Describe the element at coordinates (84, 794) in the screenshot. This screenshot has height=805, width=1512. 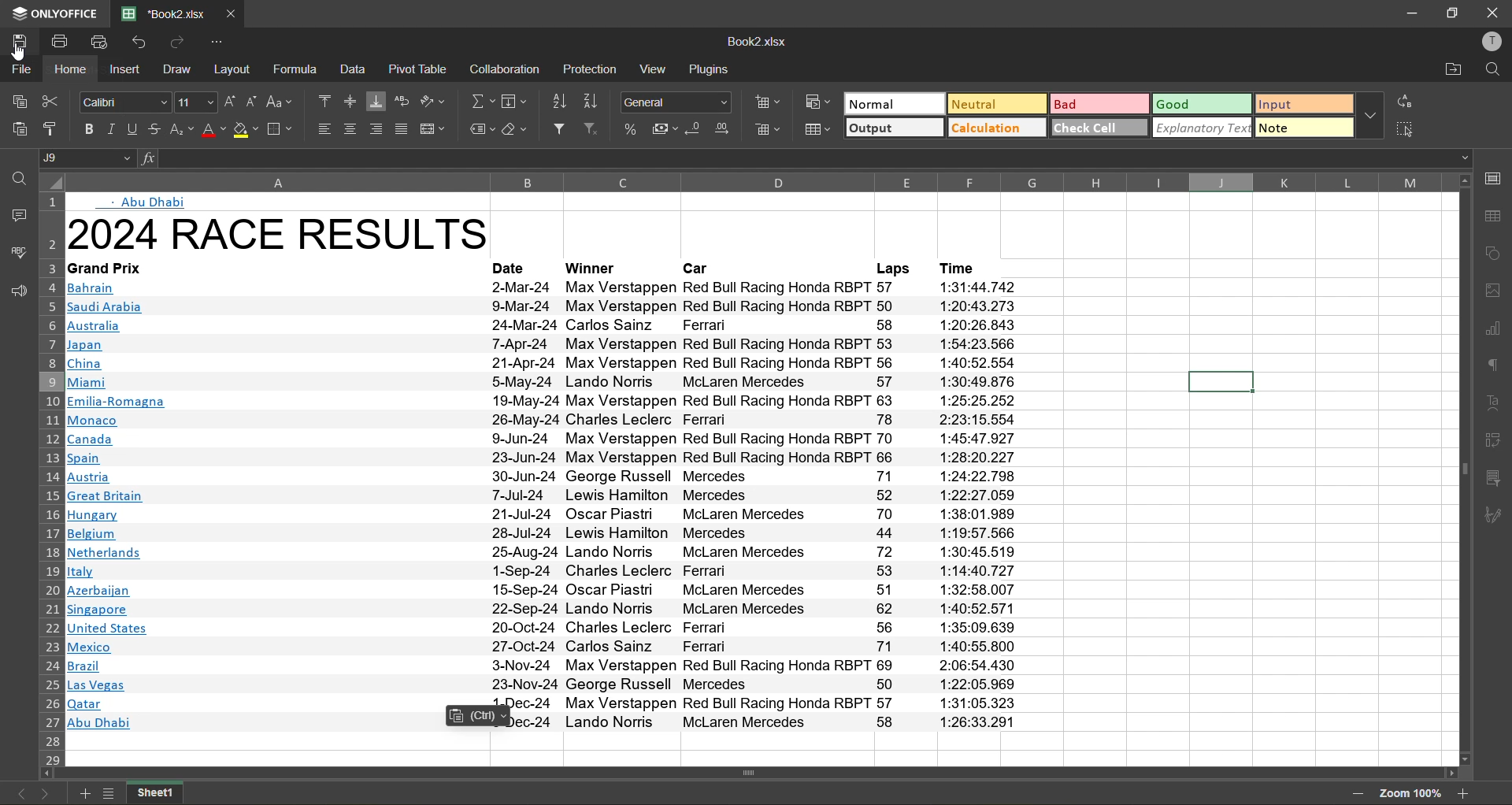
I see `add new sheet` at that location.